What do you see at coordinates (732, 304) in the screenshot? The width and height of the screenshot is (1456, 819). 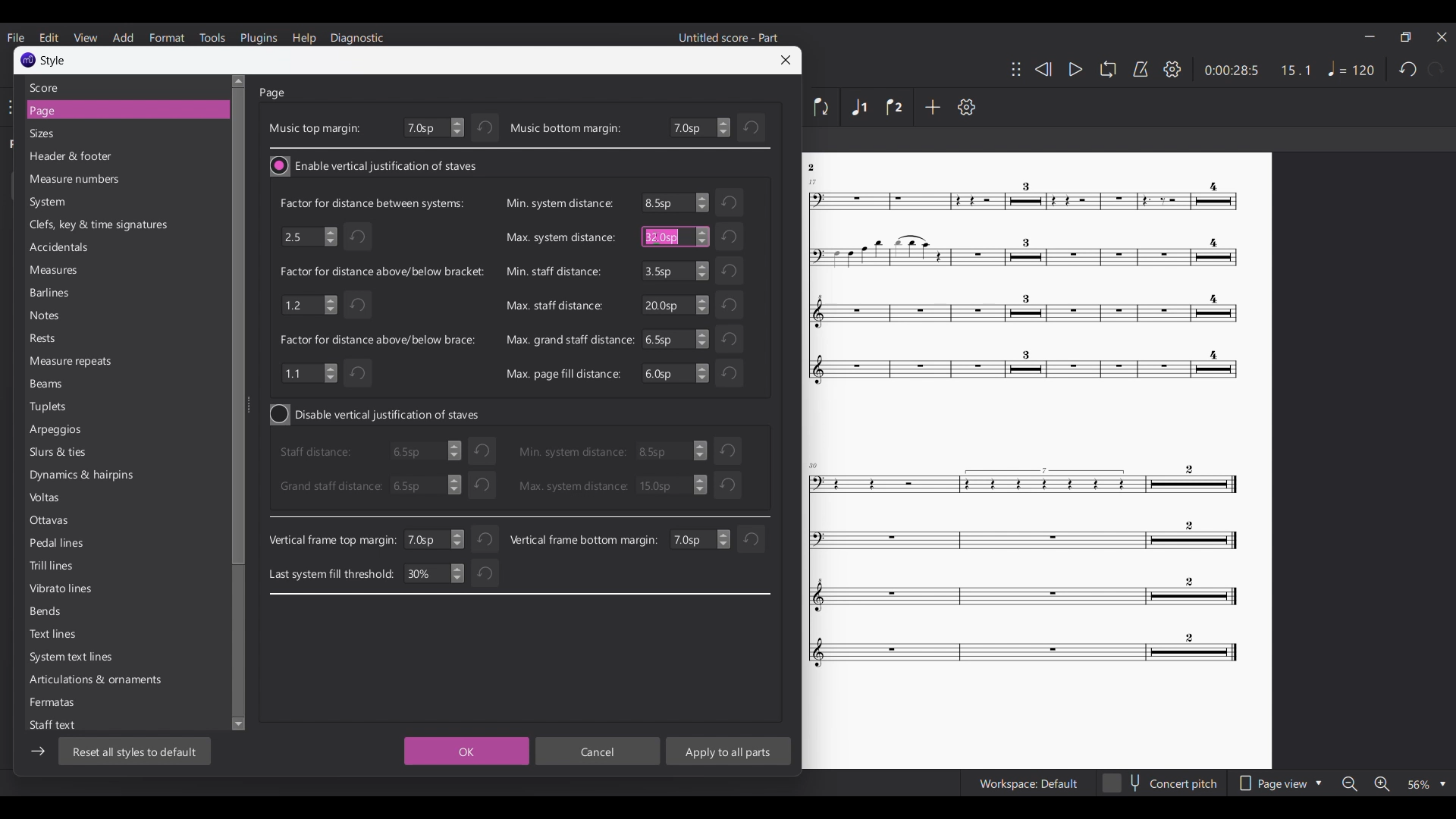 I see `Undo` at bounding box center [732, 304].